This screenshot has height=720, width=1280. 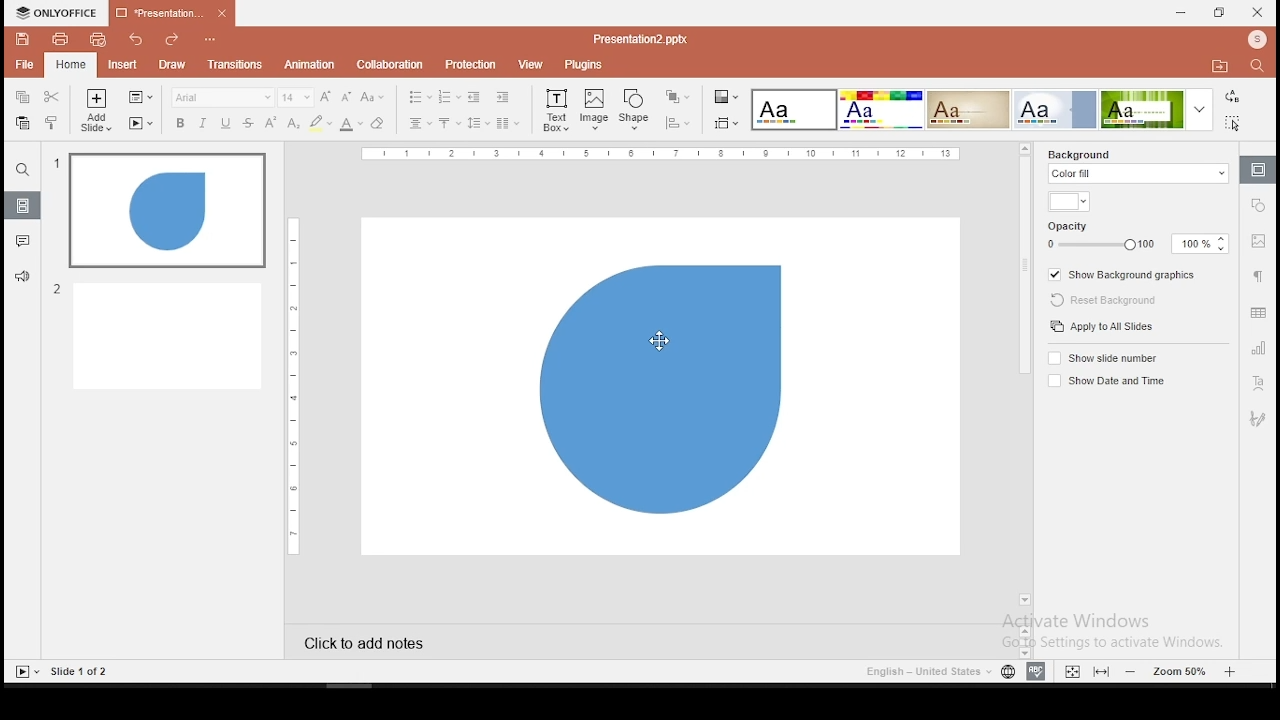 What do you see at coordinates (22, 276) in the screenshot?
I see `support and feedback` at bounding box center [22, 276].